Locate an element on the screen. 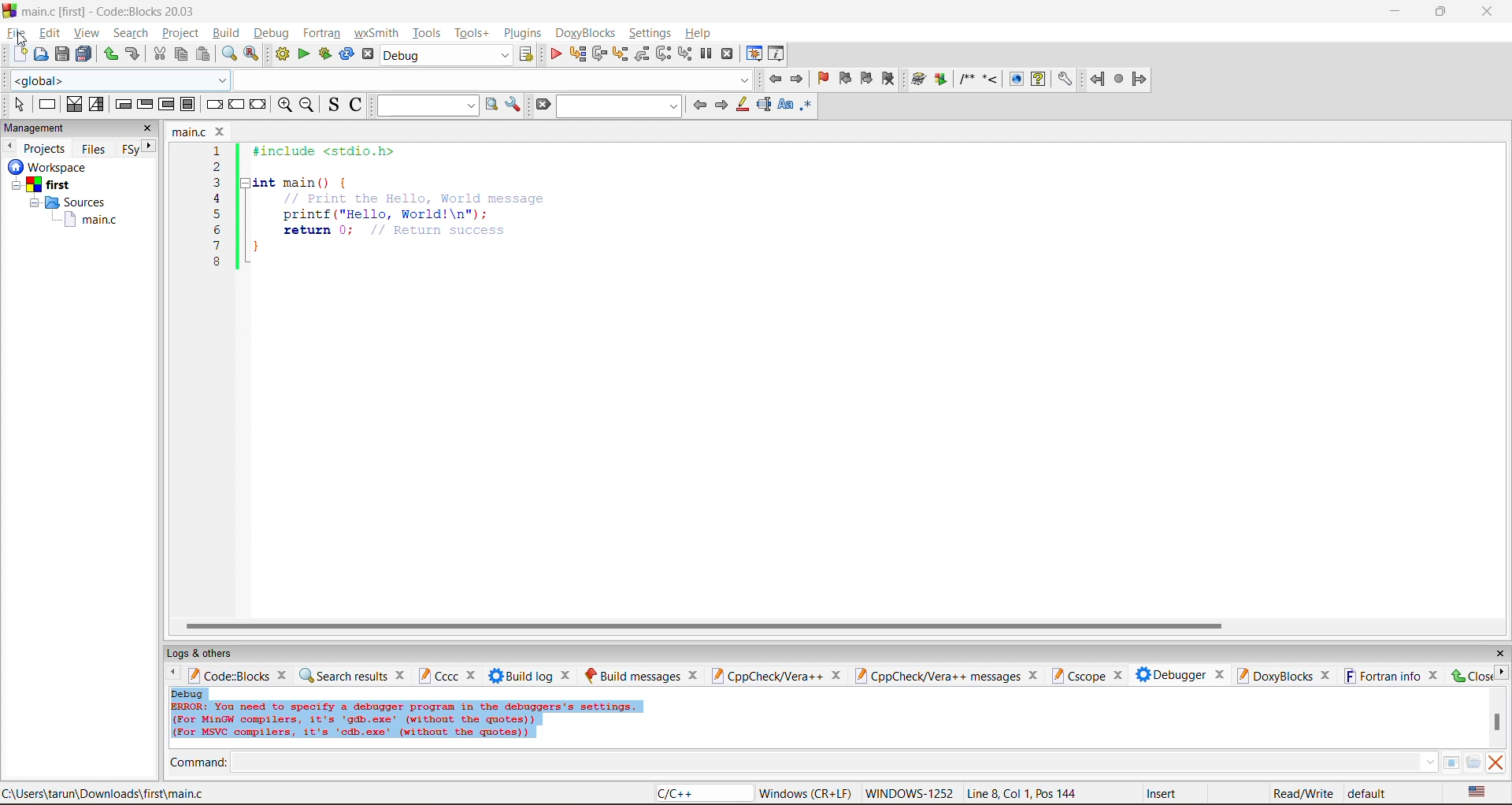 This screenshot has height=805, width=1512. exit condition loop is located at coordinates (145, 106).